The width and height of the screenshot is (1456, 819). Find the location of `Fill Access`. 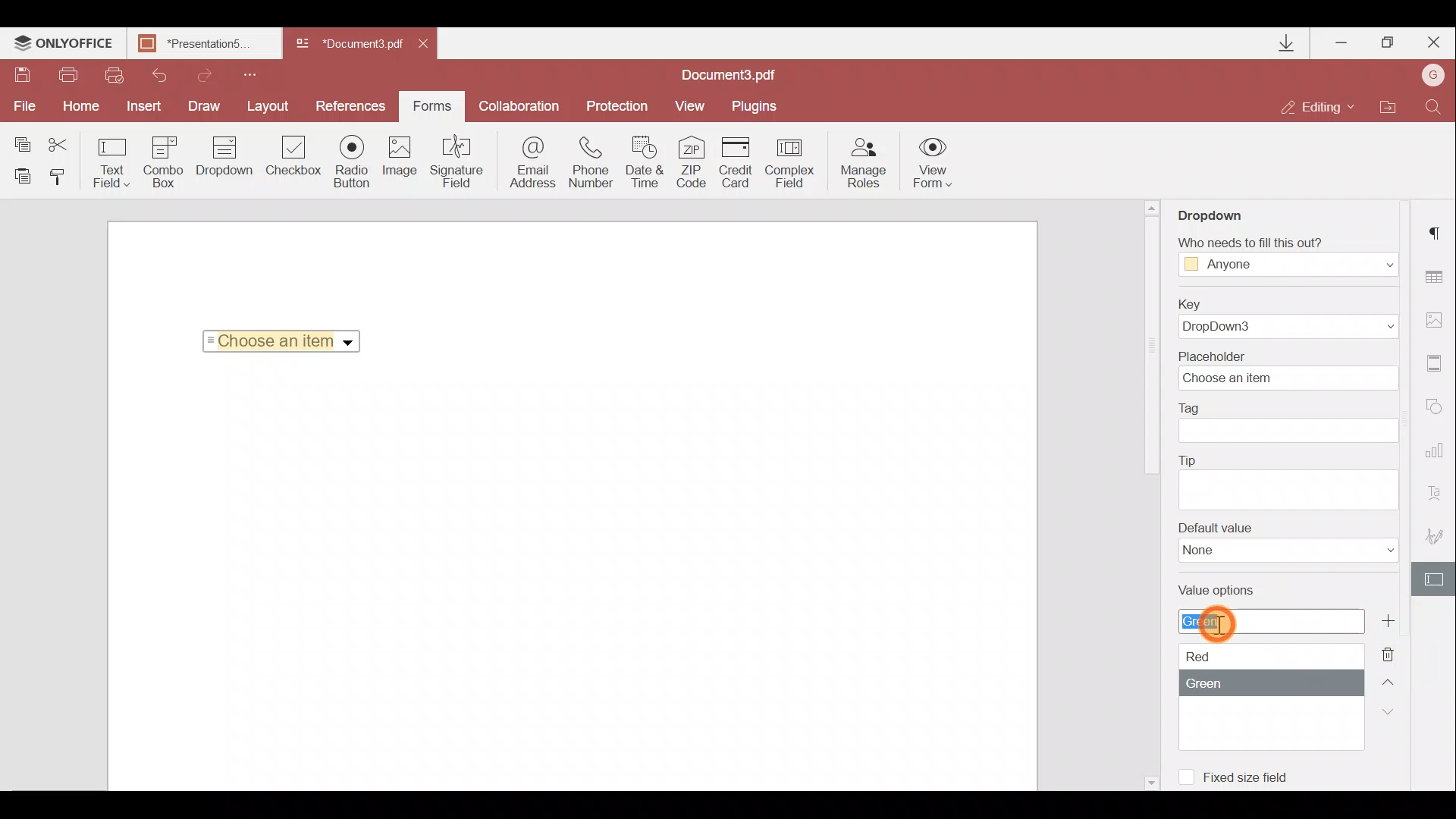

Fill Access is located at coordinates (1285, 257).